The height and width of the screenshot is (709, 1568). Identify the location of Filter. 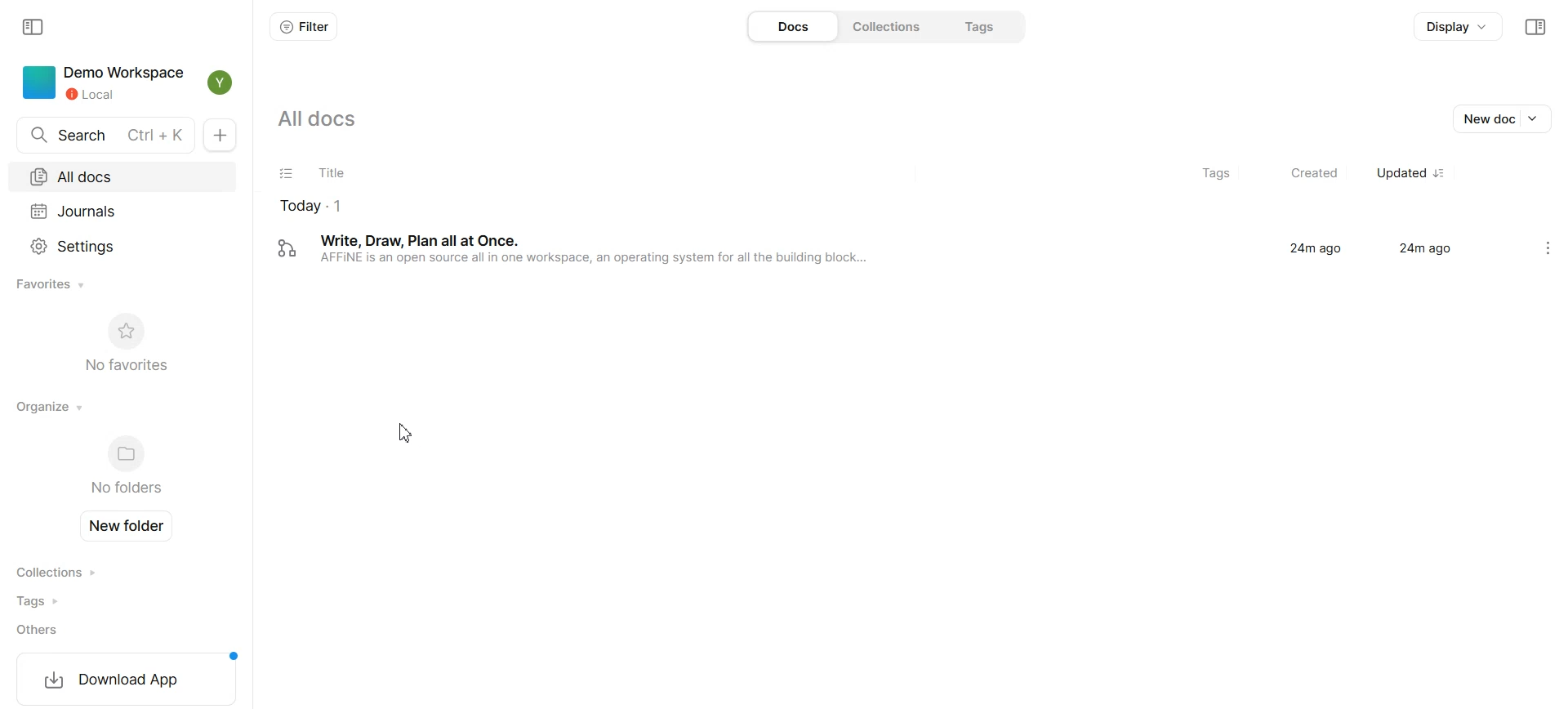
(305, 27).